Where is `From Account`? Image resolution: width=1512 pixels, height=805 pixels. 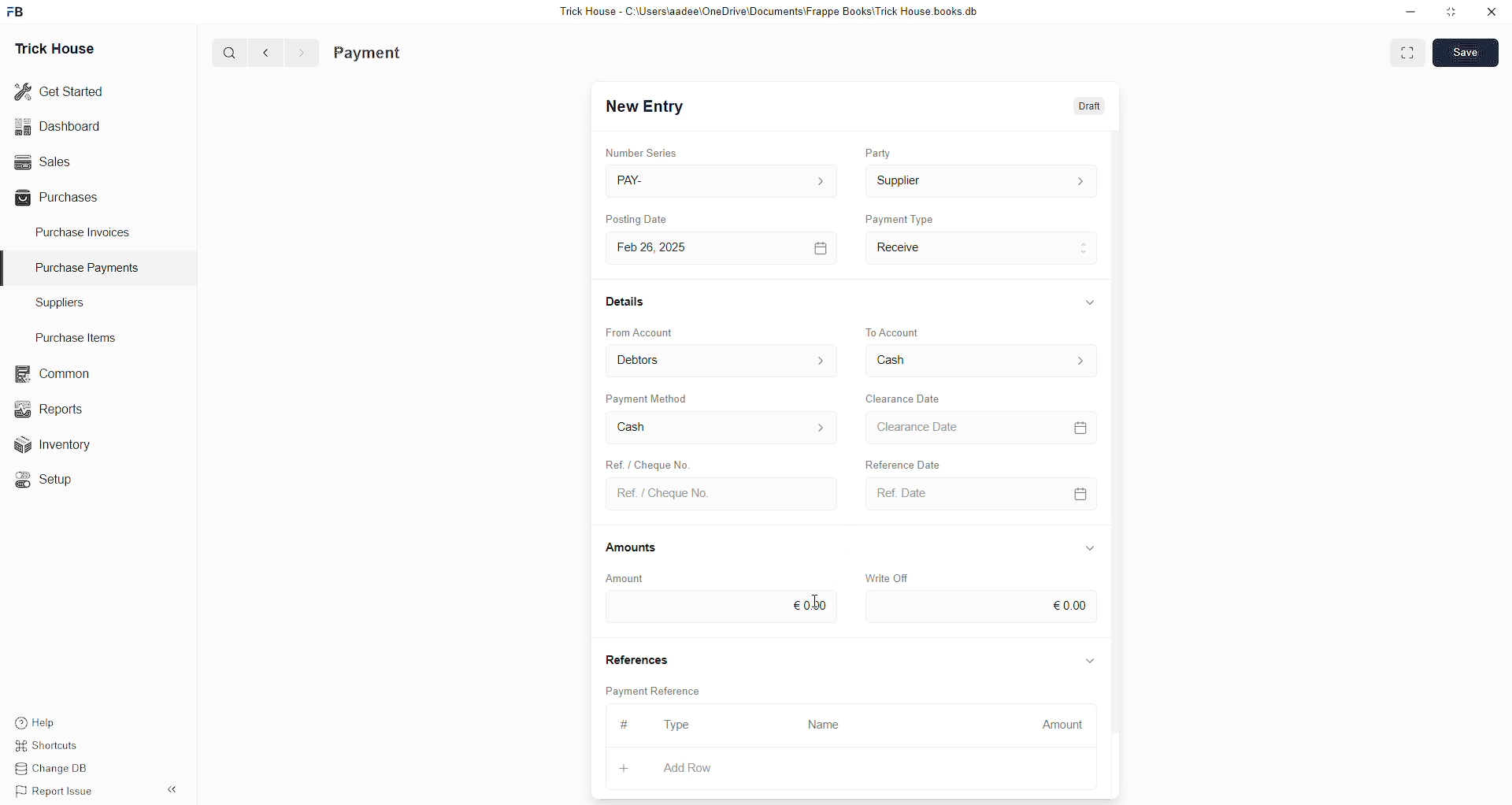
From Account is located at coordinates (642, 331).